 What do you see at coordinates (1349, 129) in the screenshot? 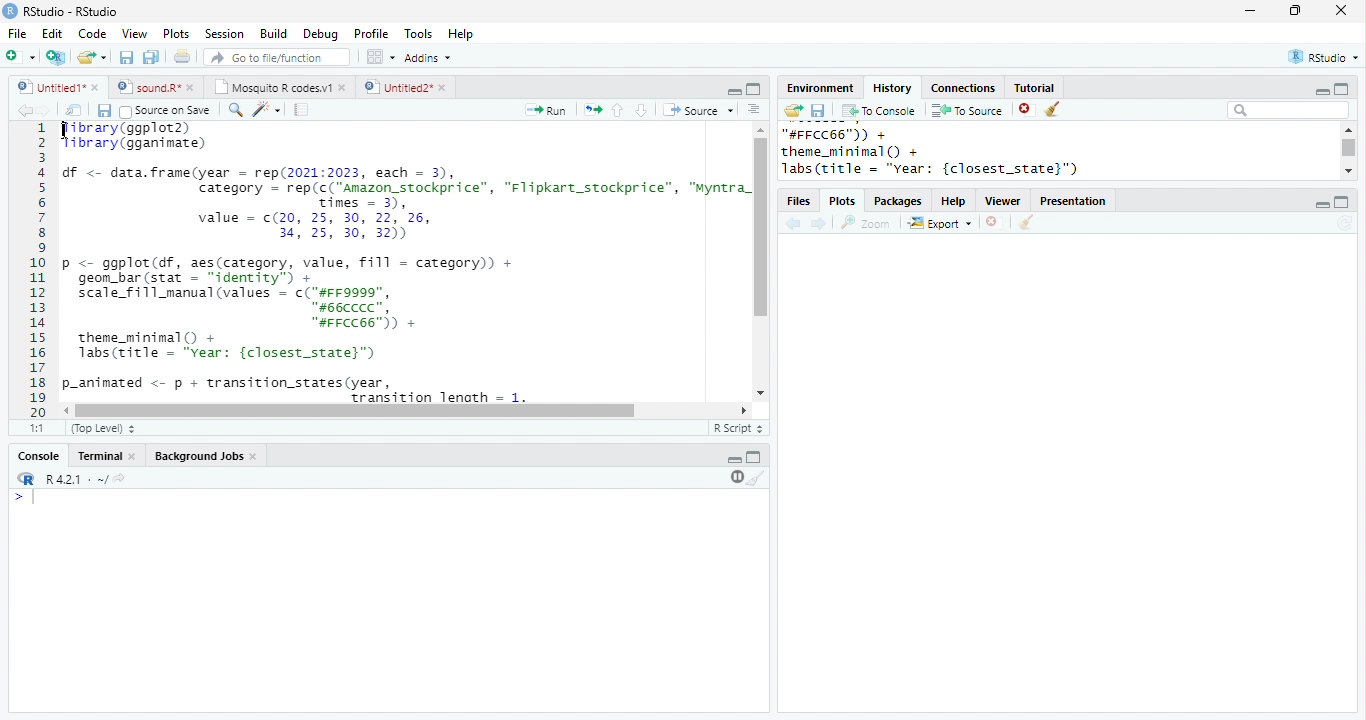
I see `scroll up` at bounding box center [1349, 129].